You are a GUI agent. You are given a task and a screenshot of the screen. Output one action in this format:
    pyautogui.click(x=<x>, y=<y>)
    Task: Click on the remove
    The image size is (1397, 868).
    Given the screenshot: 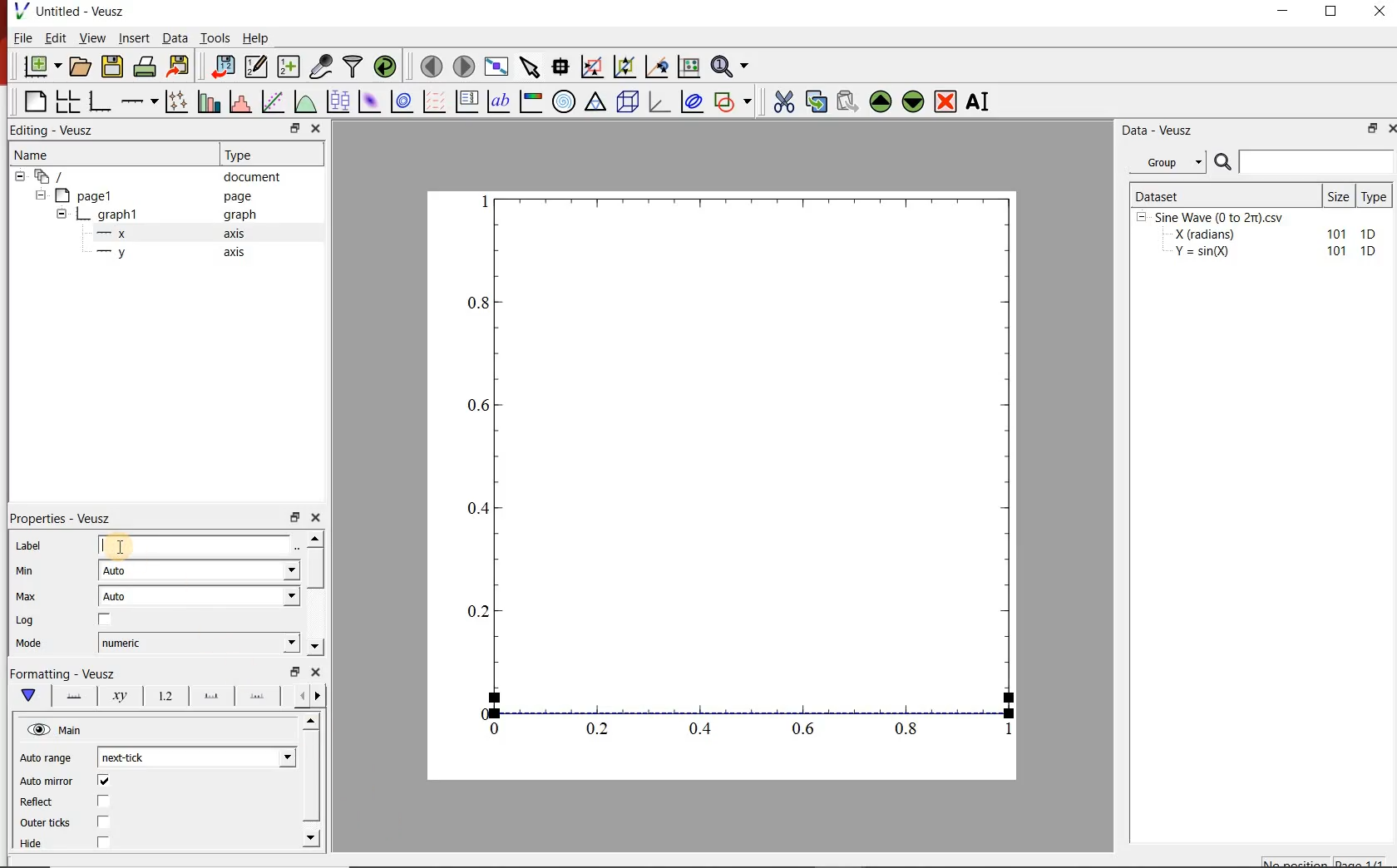 What is the action you would take?
    pyautogui.click(x=945, y=101)
    